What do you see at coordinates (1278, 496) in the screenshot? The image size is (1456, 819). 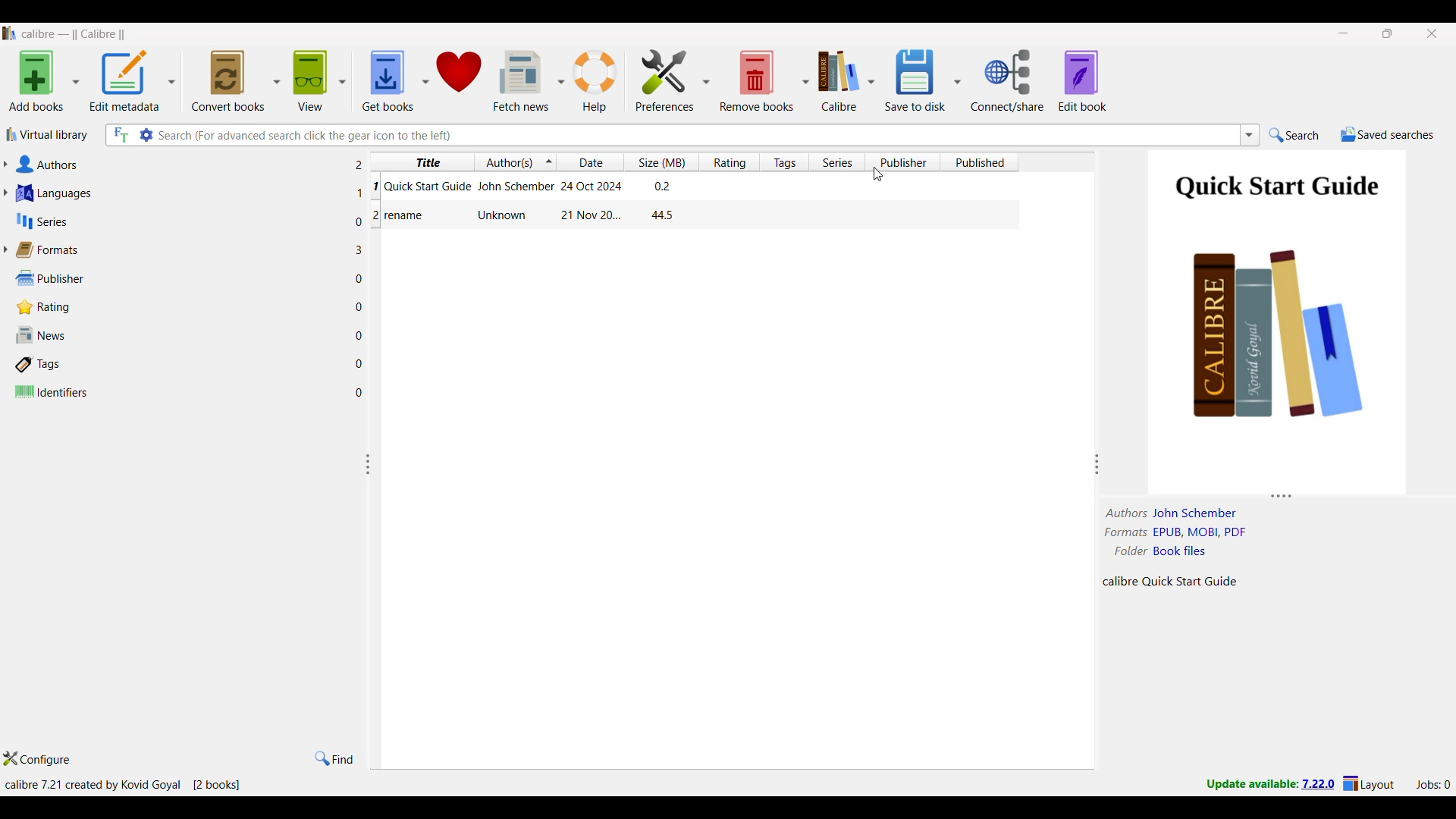 I see `Change height of columns attached to this panel` at bounding box center [1278, 496].